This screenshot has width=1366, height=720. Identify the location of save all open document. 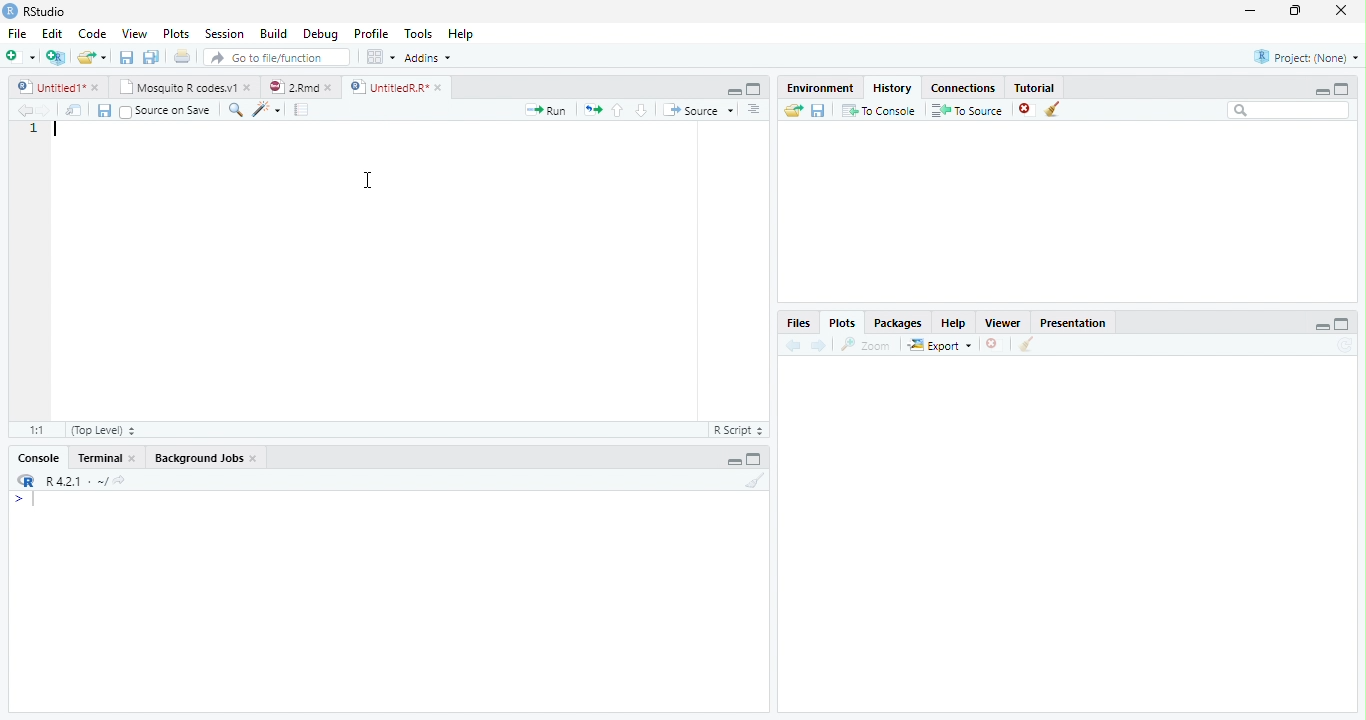
(151, 56).